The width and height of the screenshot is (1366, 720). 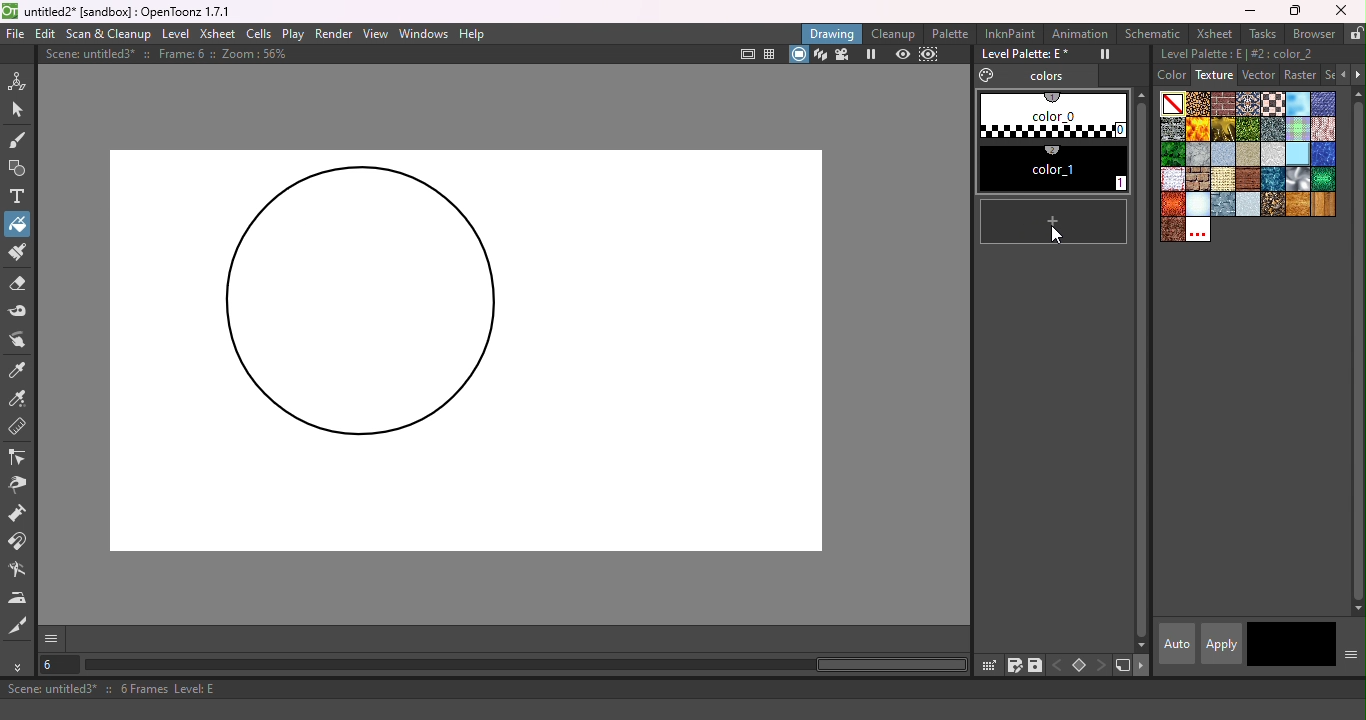 I want to click on Select the current frame, so click(x=61, y=666).